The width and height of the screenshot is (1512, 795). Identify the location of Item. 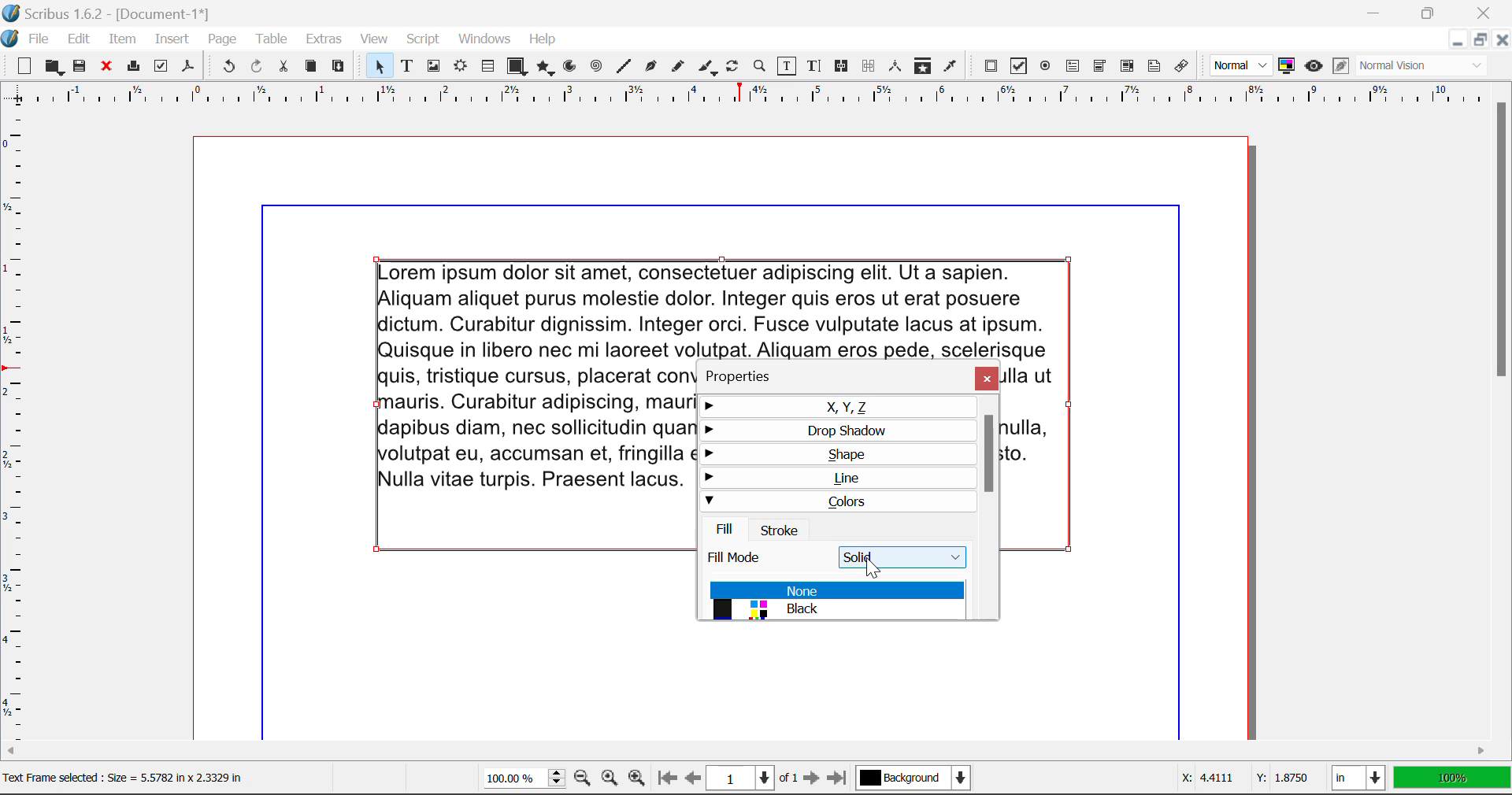
(123, 41).